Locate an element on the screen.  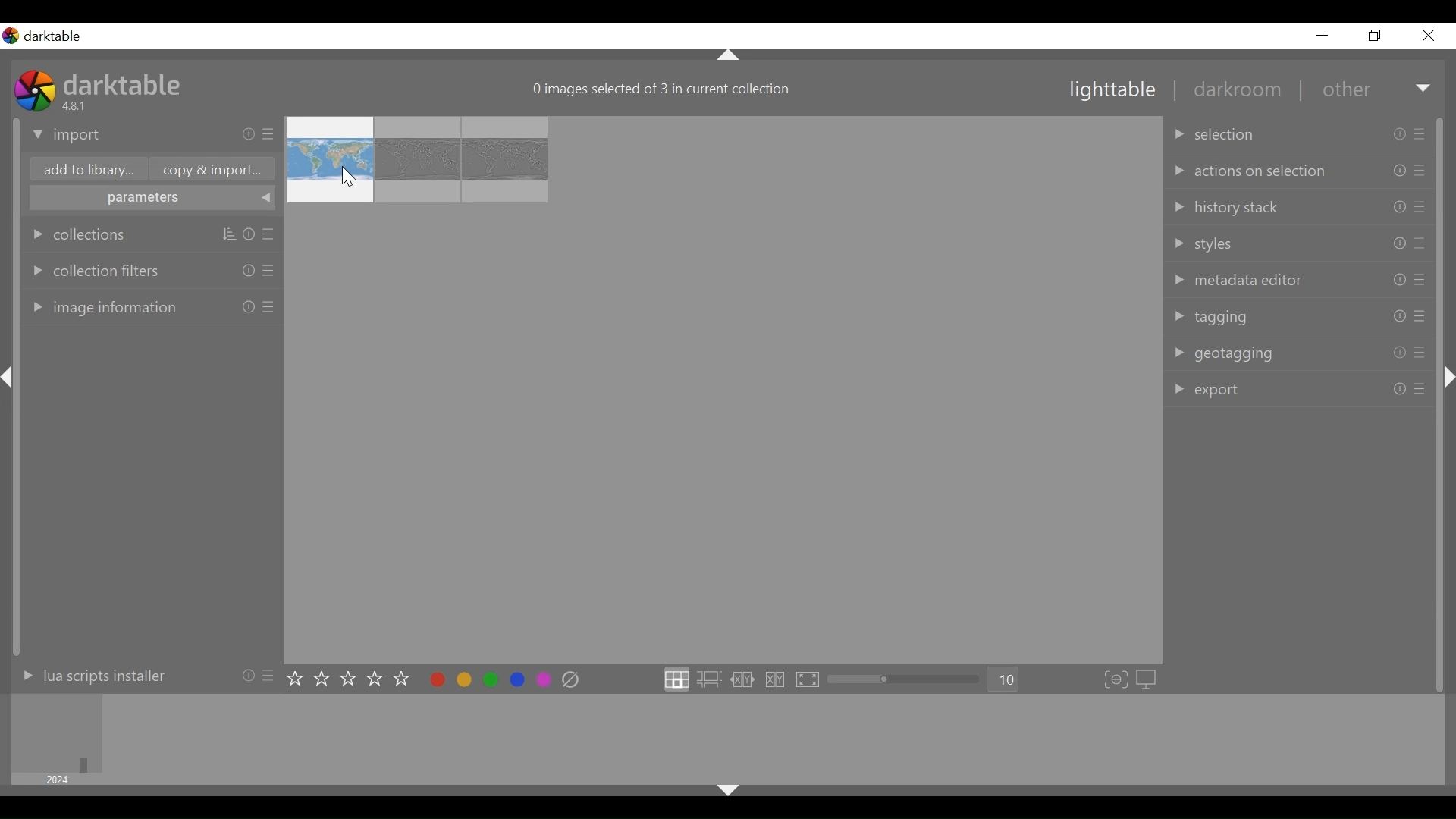
export is located at coordinates (1303, 392).